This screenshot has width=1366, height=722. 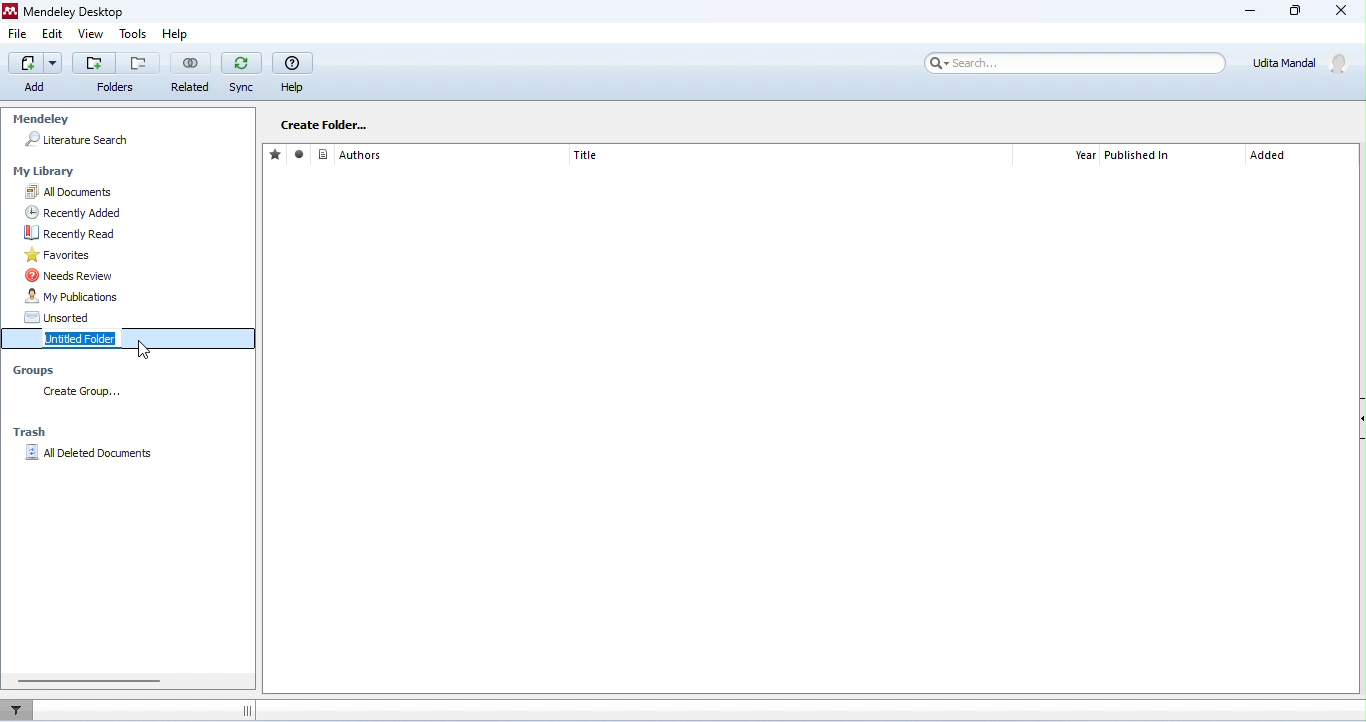 What do you see at coordinates (1357, 421) in the screenshot?
I see `show or hide document details` at bounding box center [1357, 421].